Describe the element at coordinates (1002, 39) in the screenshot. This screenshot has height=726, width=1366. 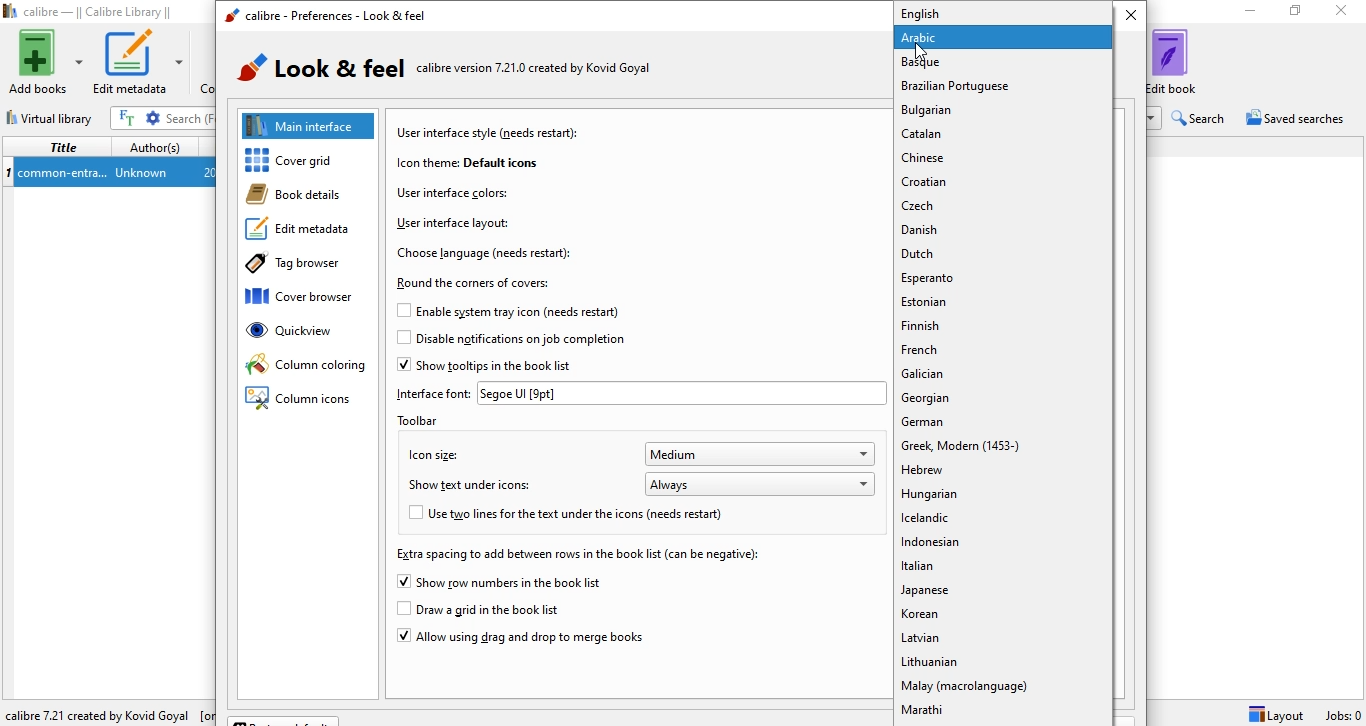
I see `arabic` at that location.